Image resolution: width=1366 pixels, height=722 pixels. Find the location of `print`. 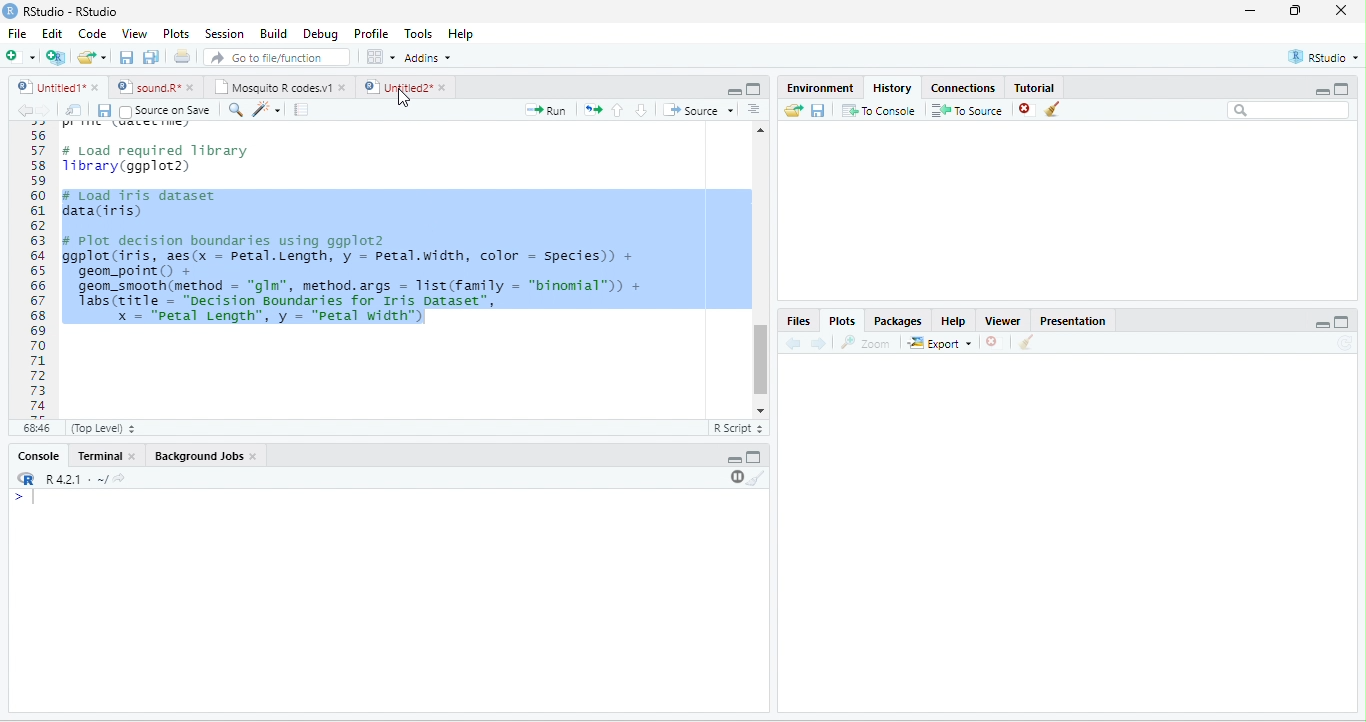

print is located at coordinates (181, 56).